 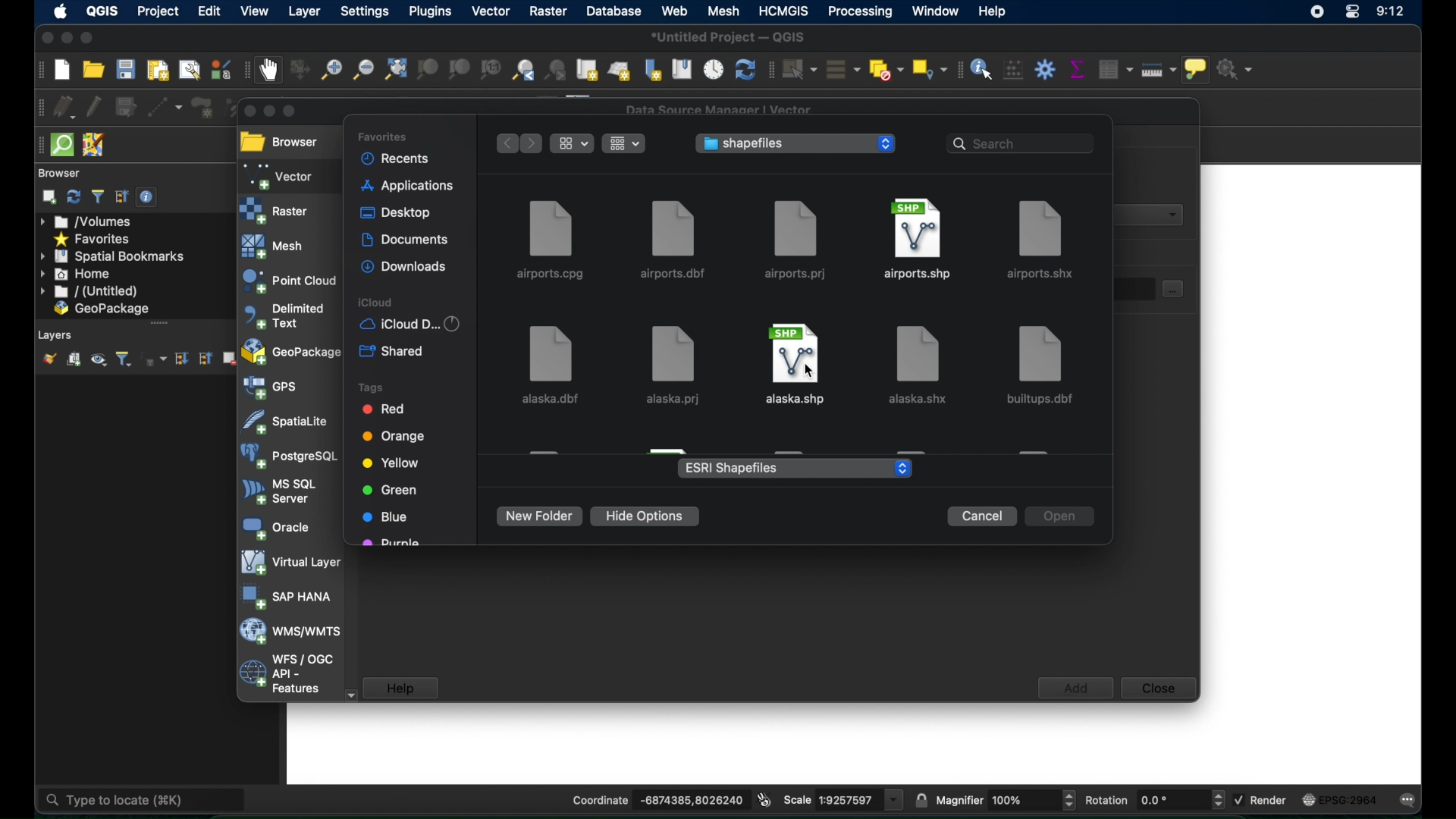 What do you see at coordinates (1159, 71) in the screenshot?
I see `measure line` at bounding box center [1159, 71].